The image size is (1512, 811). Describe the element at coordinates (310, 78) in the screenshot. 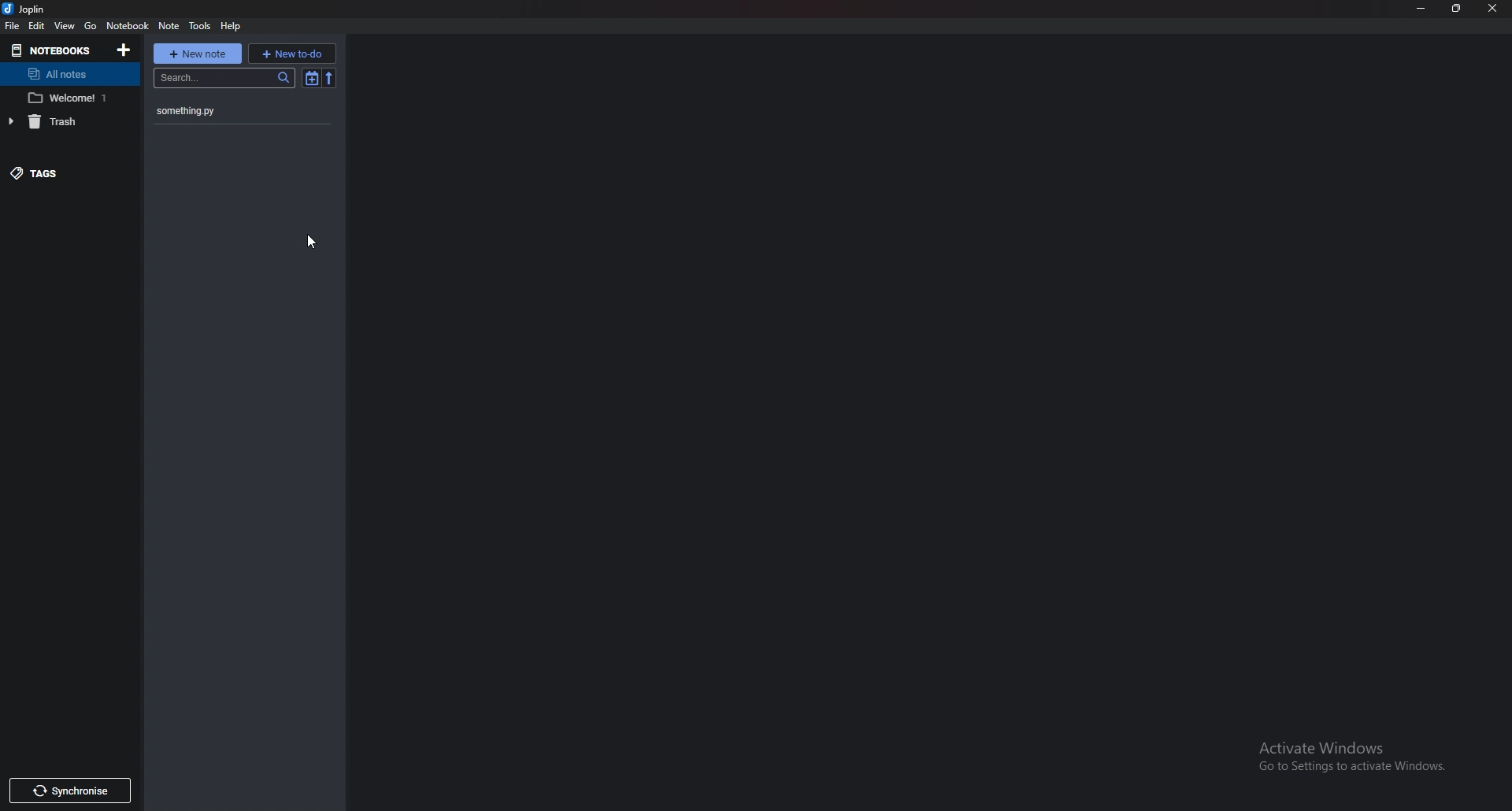

I see `Toggle sort order` at that location.